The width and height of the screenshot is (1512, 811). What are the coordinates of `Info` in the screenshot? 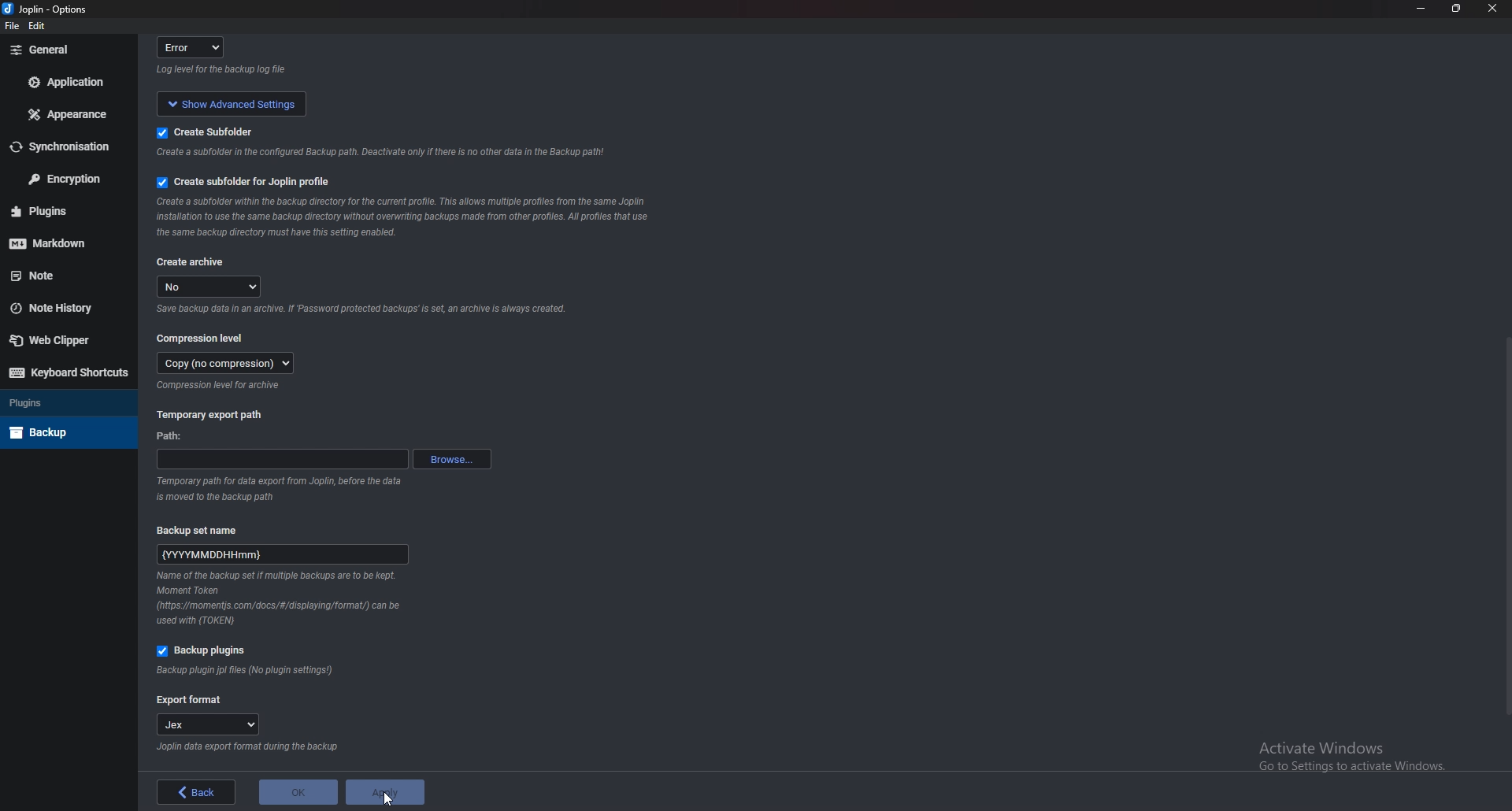 It's located at (246, 671).